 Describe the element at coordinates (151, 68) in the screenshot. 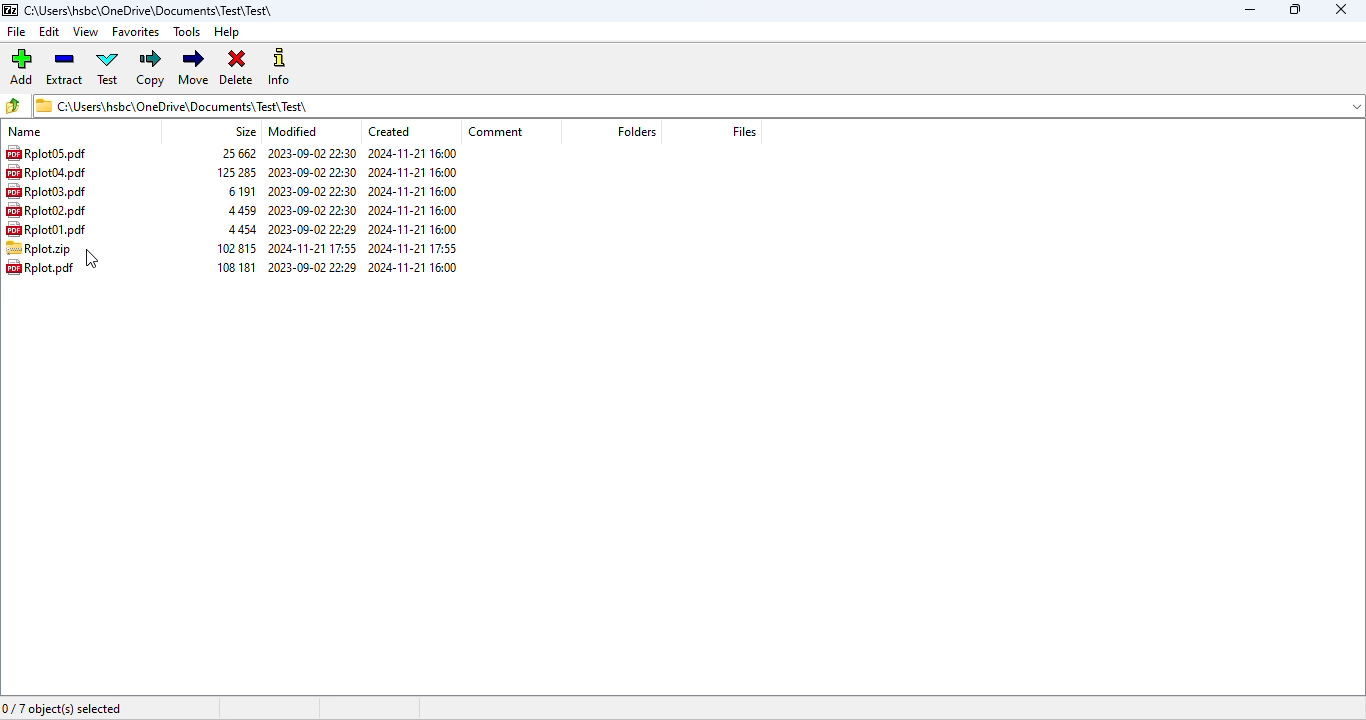

I see `copy` at that location.